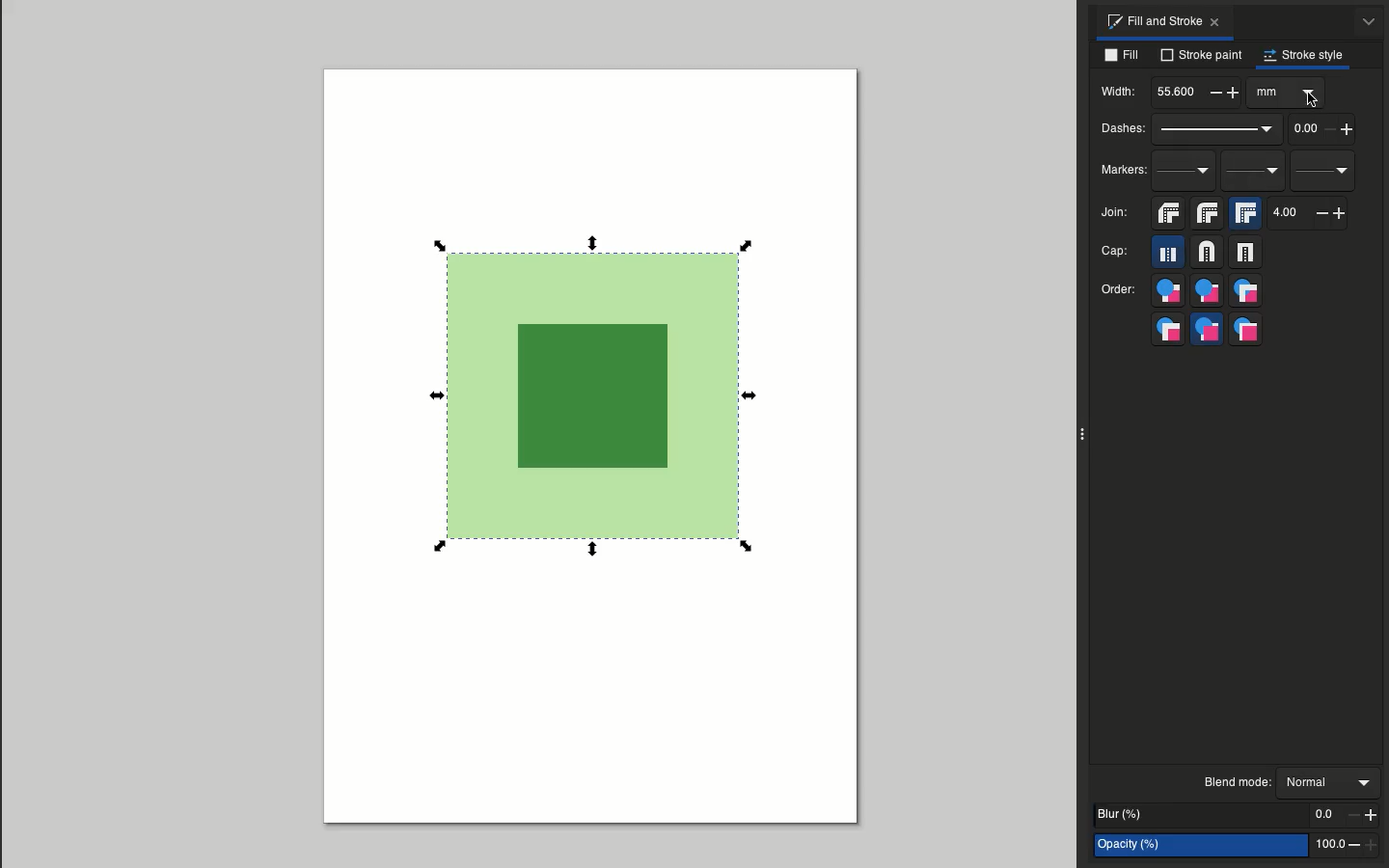 The image size is (1389, 868). Describe the element at coordinates (1247, 331) in the screenshot. I see `Markers, stroke, fill` at that location.